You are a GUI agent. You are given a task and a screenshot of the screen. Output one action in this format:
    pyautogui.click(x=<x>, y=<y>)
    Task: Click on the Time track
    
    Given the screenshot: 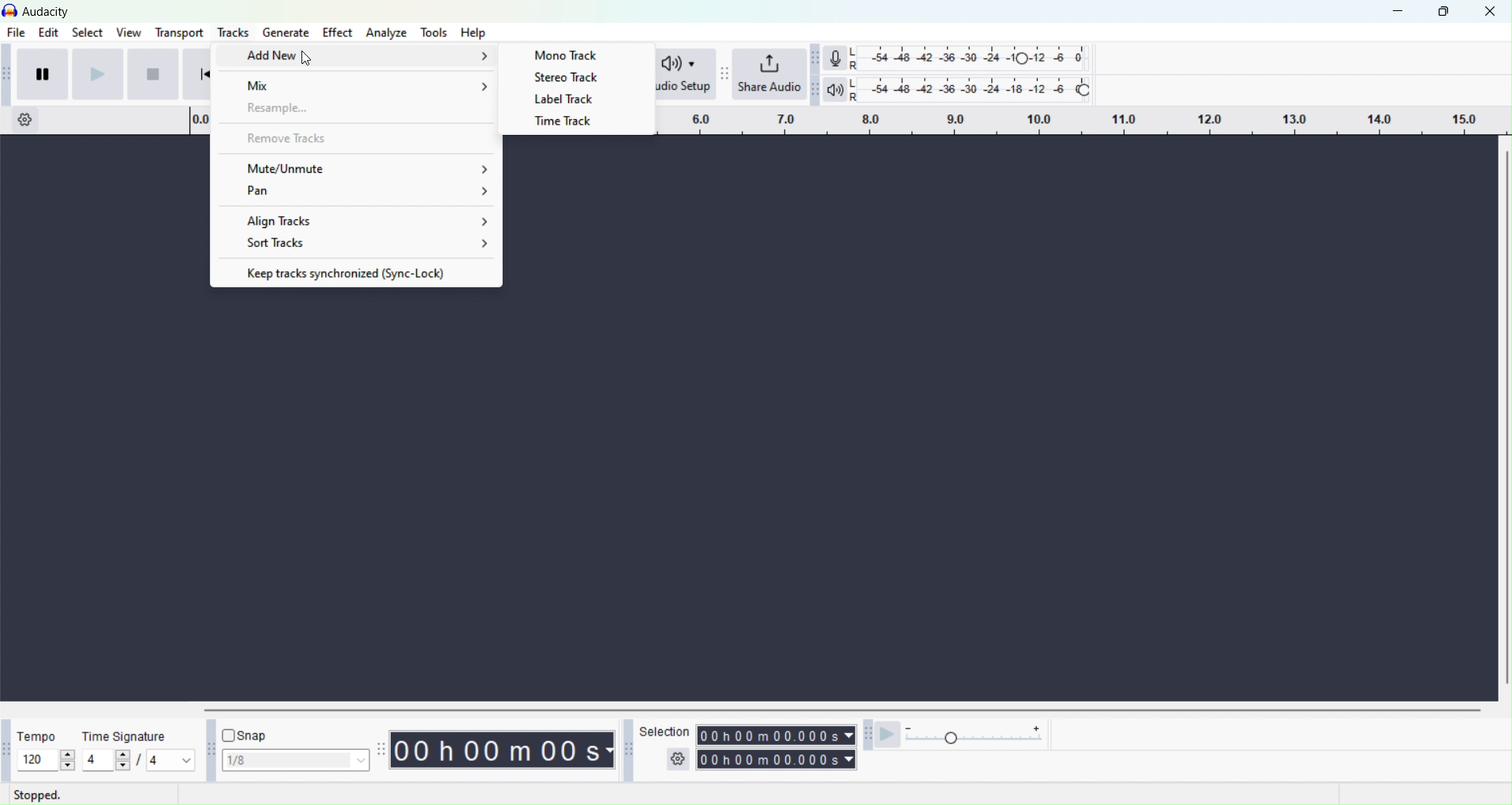 What is the action you would take?
    pyautogui.click(x=568, y=123)
    